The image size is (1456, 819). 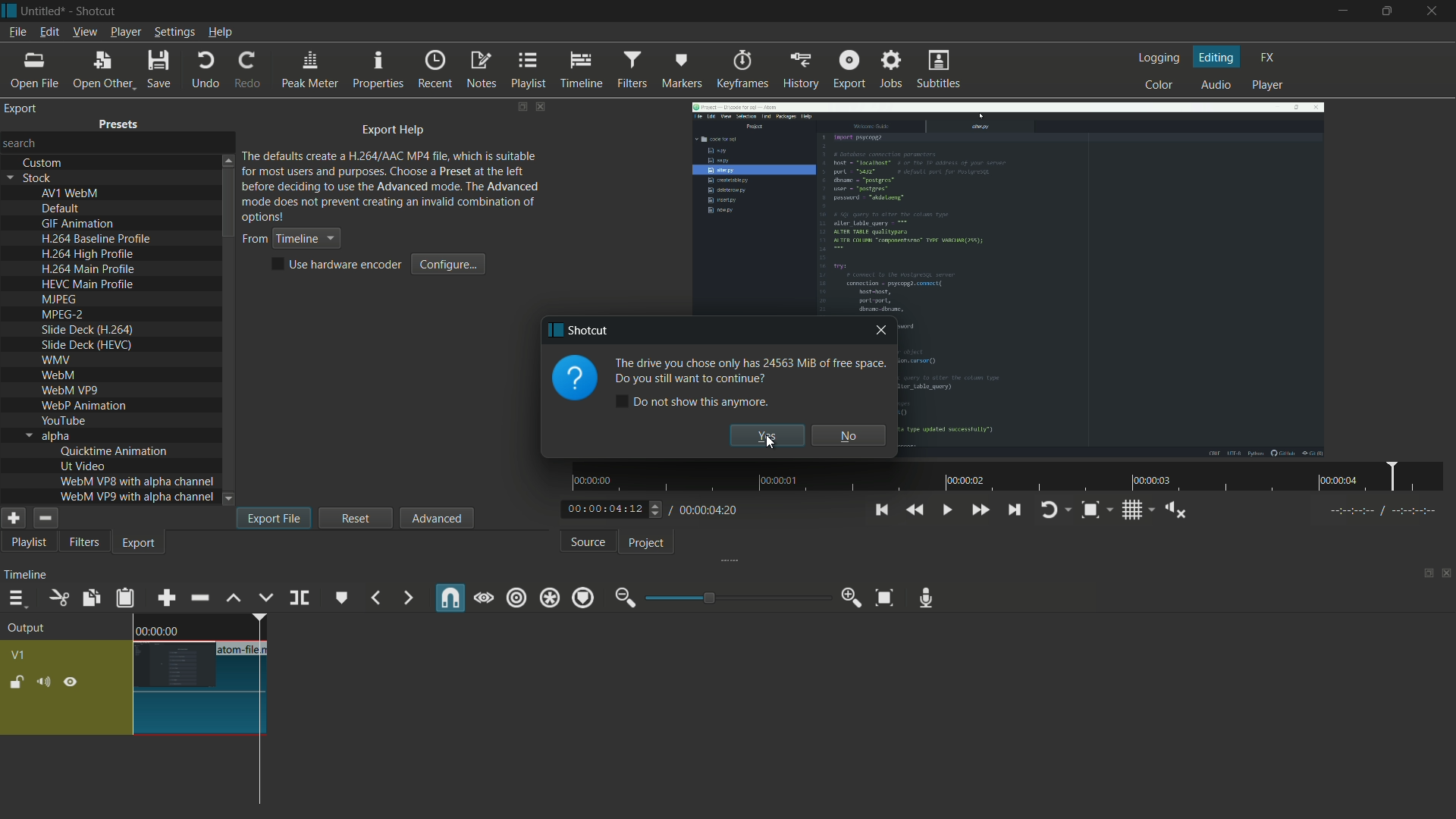 What do you see at coordinates (1157, 86) in the screenshot?
I see `color` at bounding box center [1157, 86].